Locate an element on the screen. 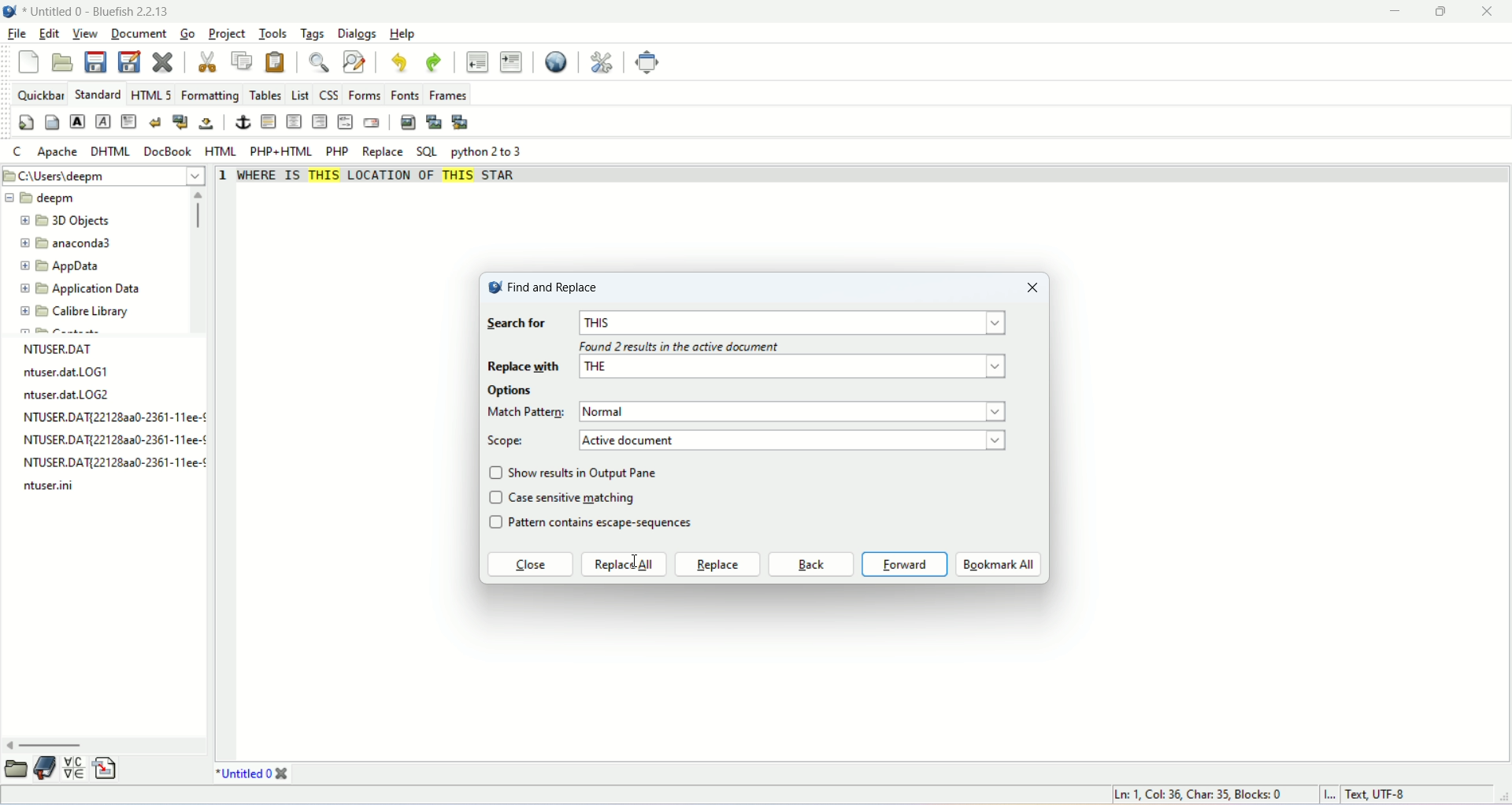 The width and height of the screenshot is (1512, 805). 3D Object is located at coordinates (67, 222).